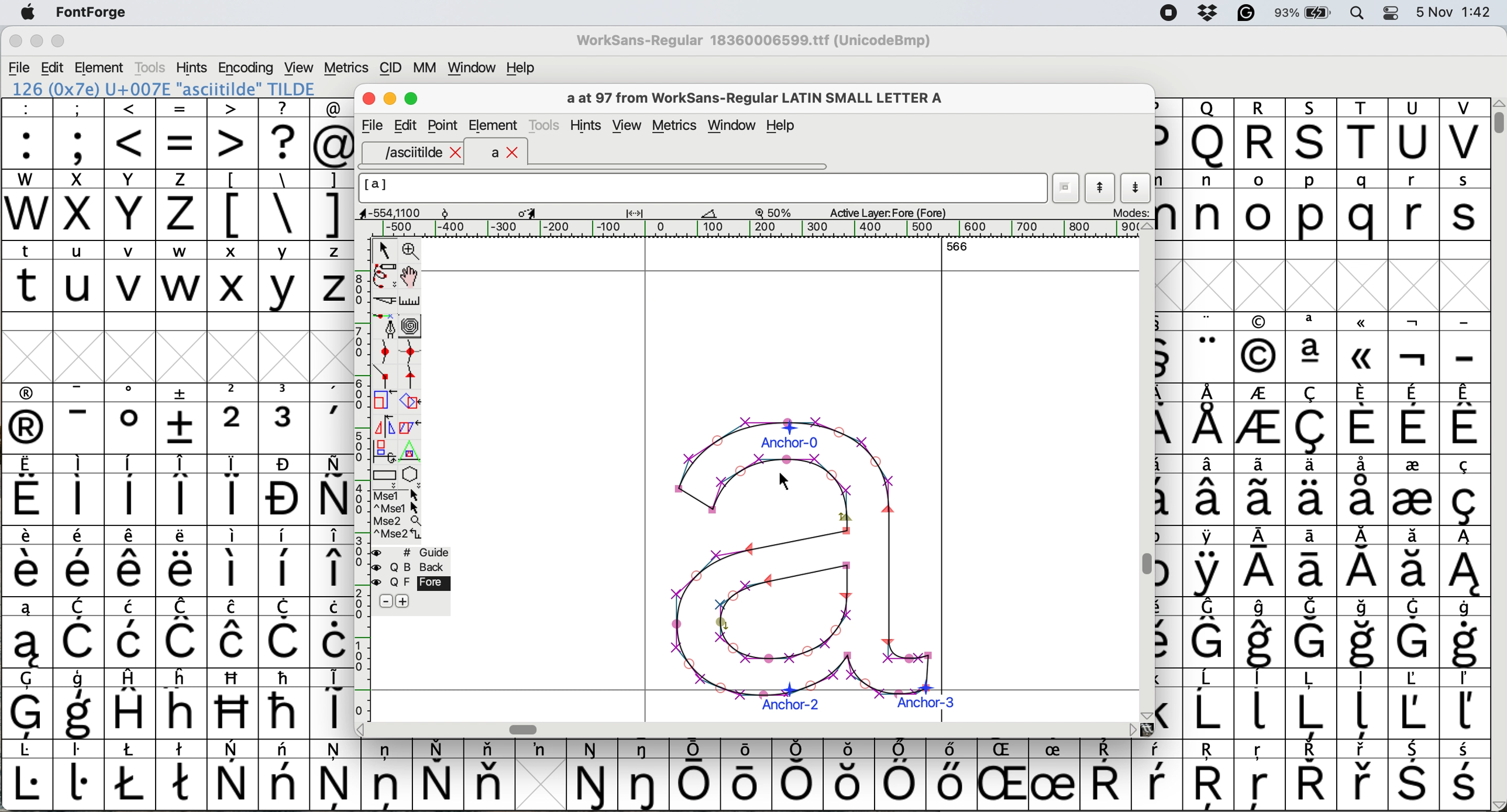 The image size is (1507, 812). What do you see at coordinates (130, 775) in the screenshot?
I see `symbol` at bounding box center [130, 775].